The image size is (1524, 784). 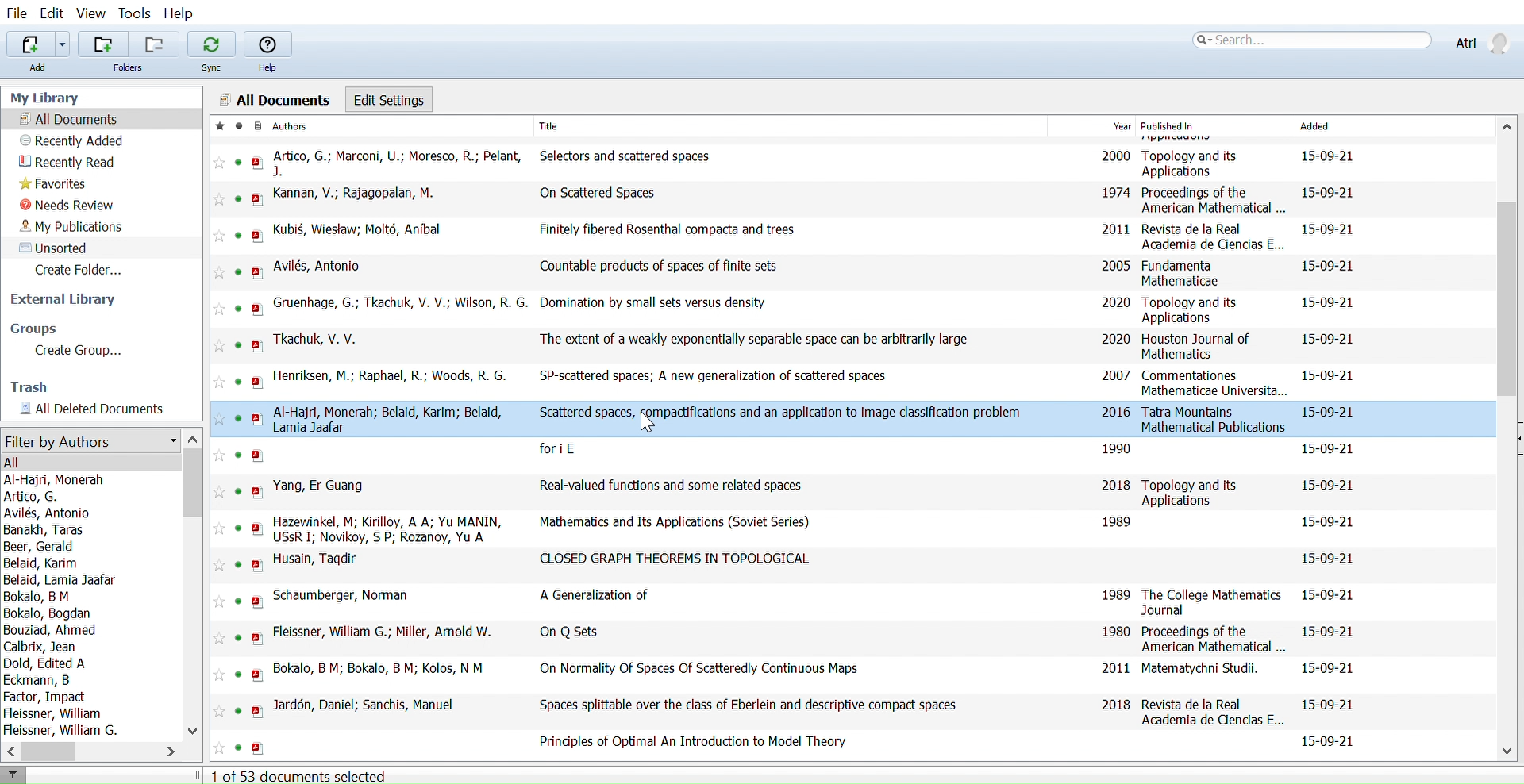 What do you see at coordinates (783, 413) in the screenshot?
I see `Scattered spaces, rompadtifications and an application to image classification problem` at bounding box center [783, 413].